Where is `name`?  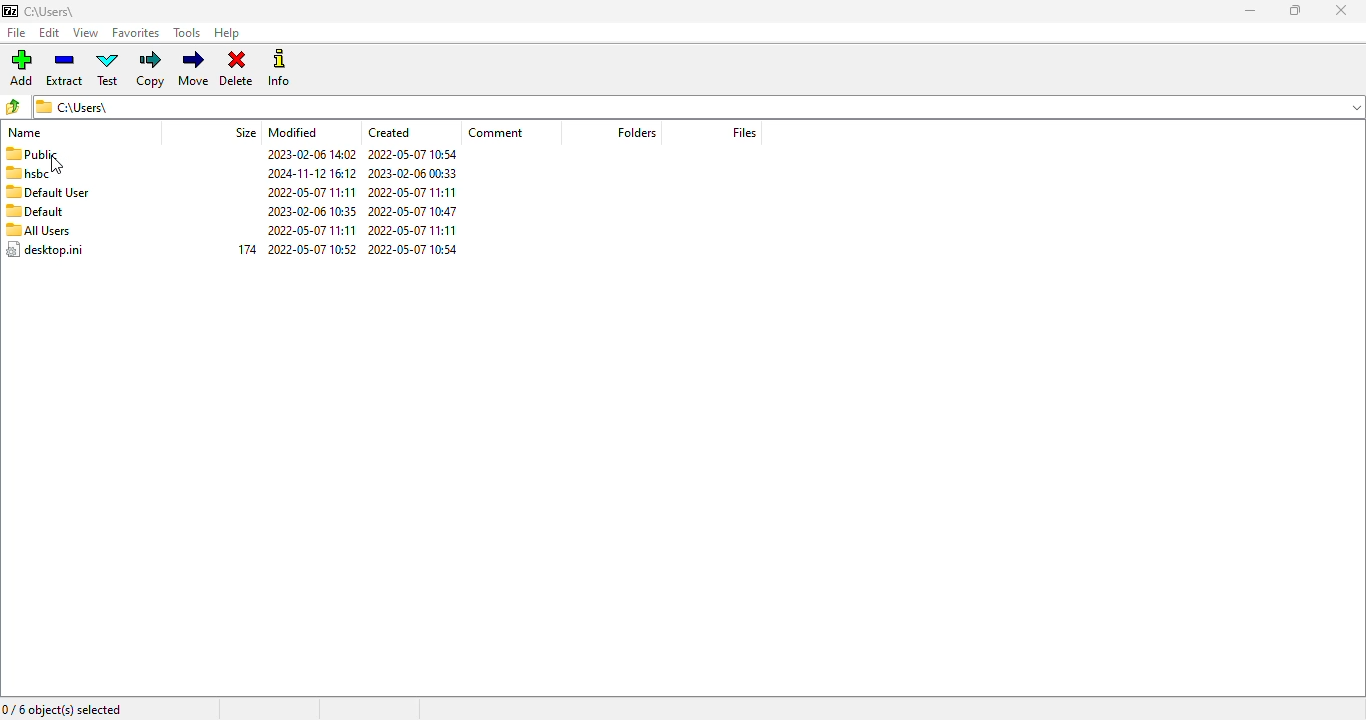 name is located at coordinates (24, 132).